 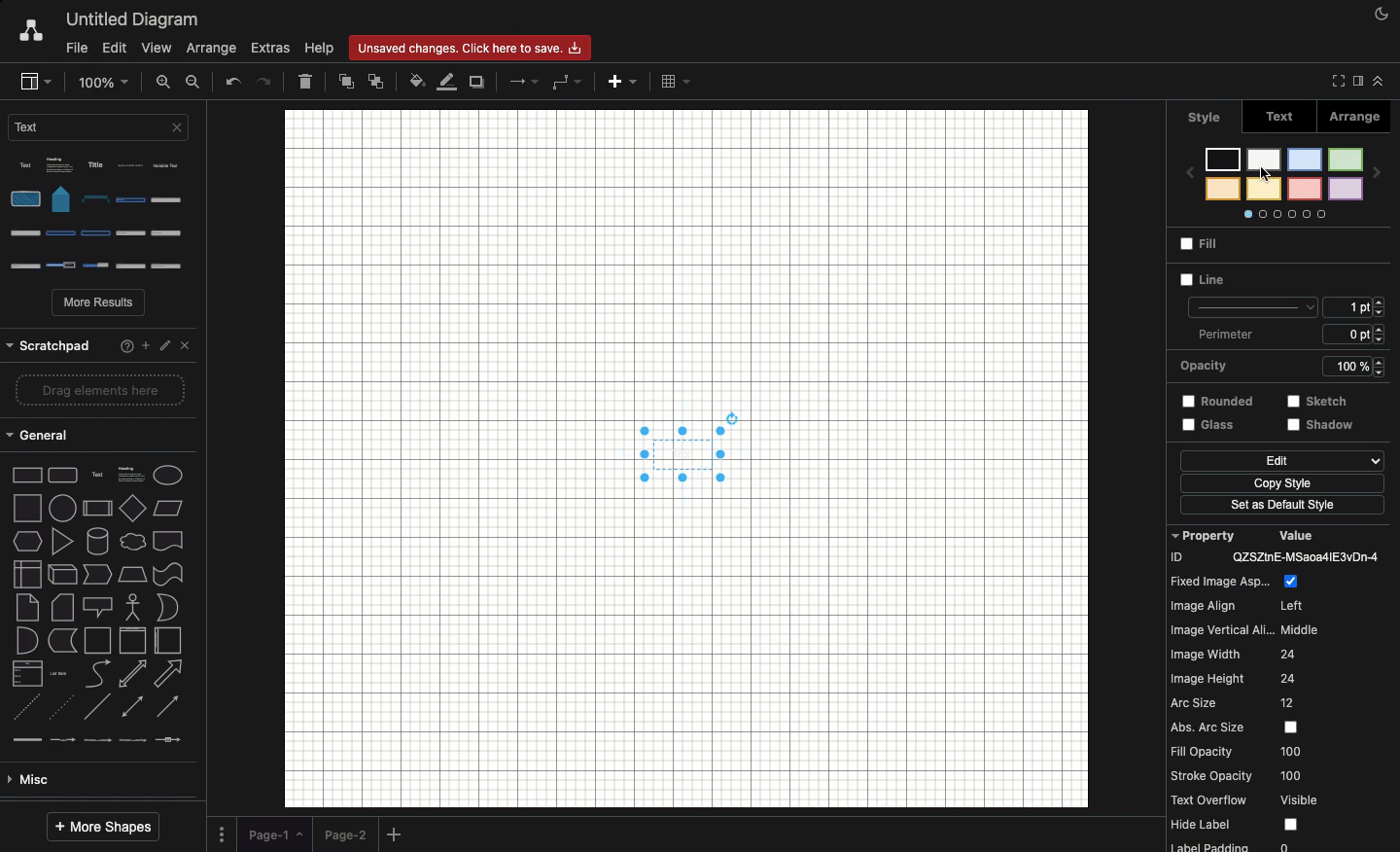 I want to click on shape, so click(x=101, y=502).